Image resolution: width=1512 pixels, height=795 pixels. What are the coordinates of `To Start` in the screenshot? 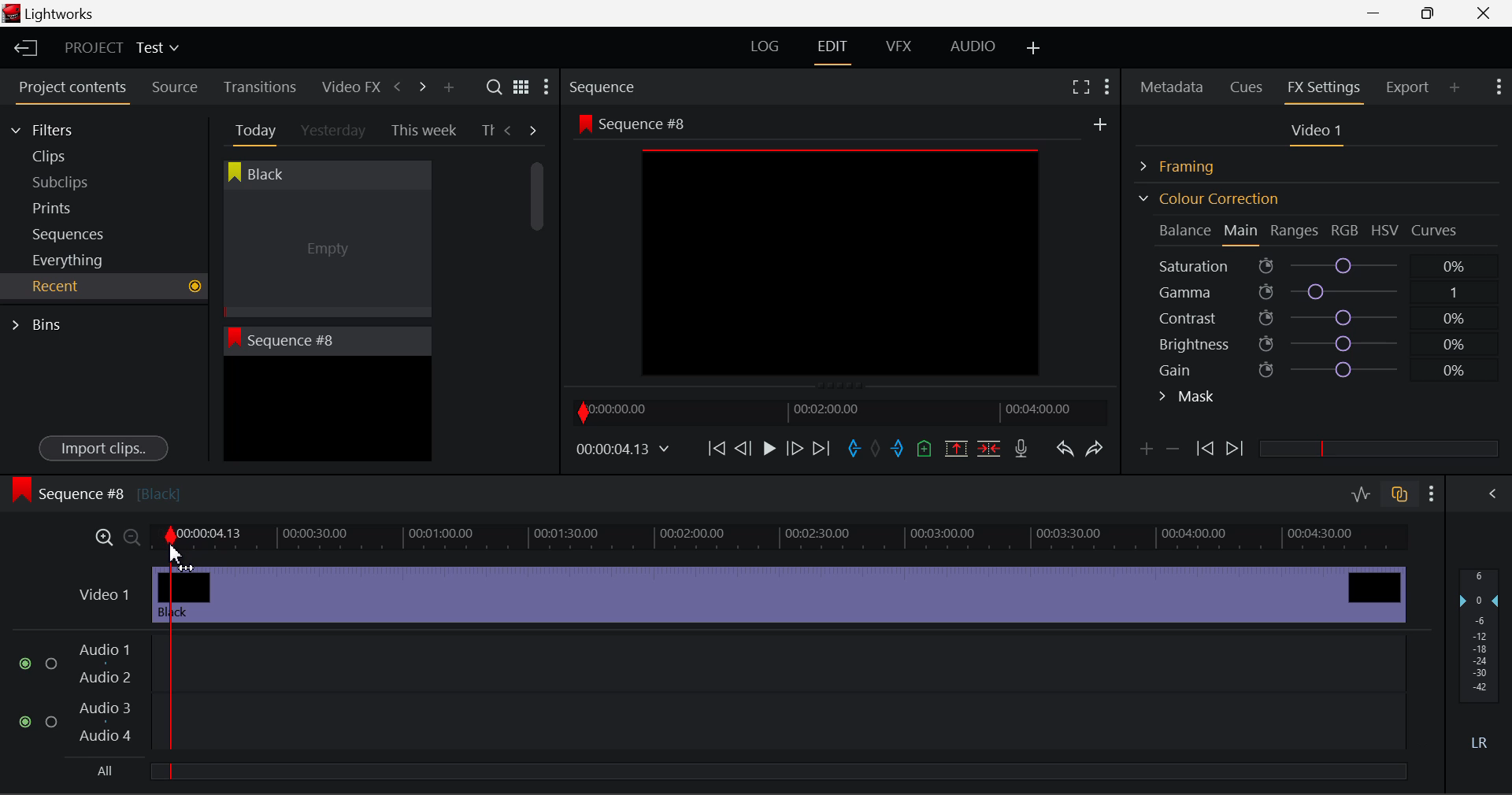 It's located at (715, 448).